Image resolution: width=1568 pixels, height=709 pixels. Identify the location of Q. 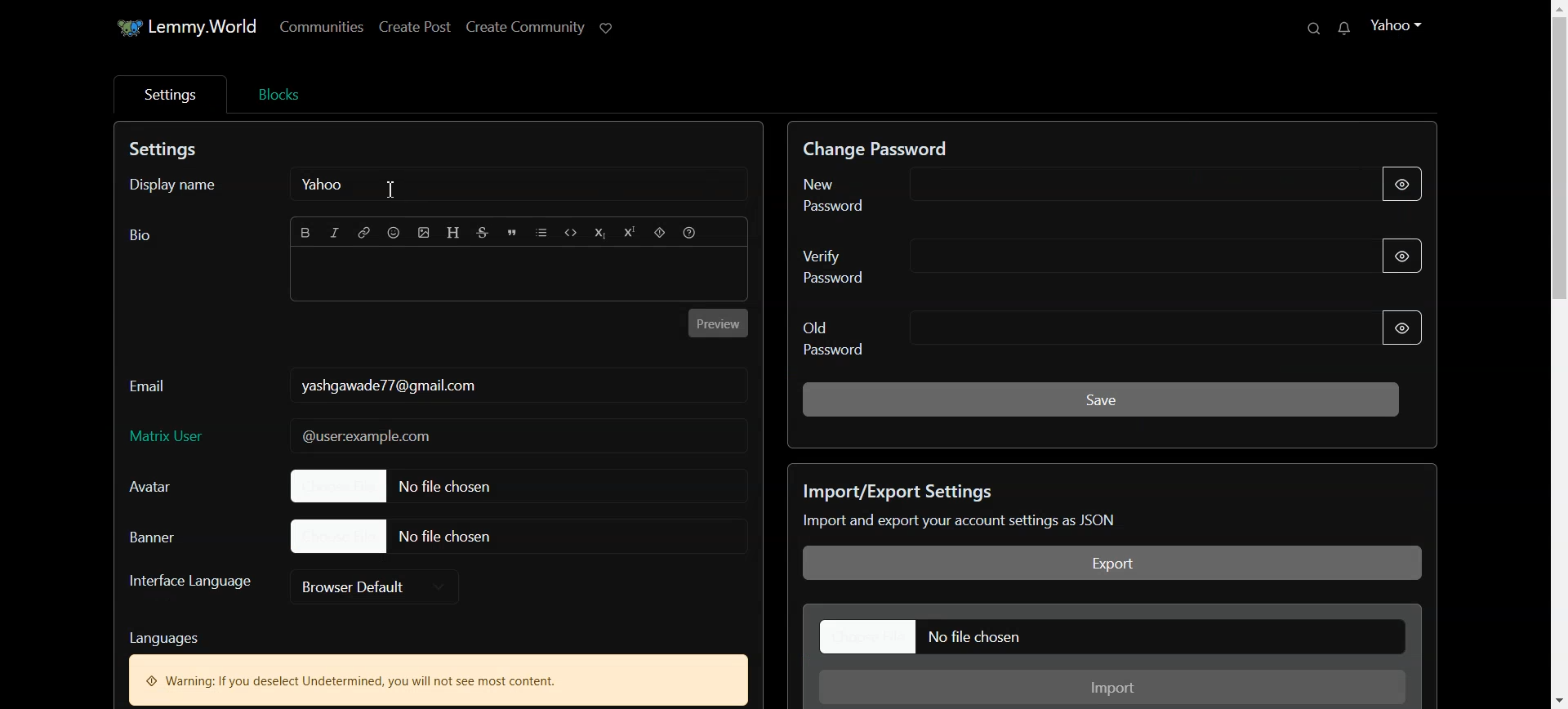
(1294, 29).